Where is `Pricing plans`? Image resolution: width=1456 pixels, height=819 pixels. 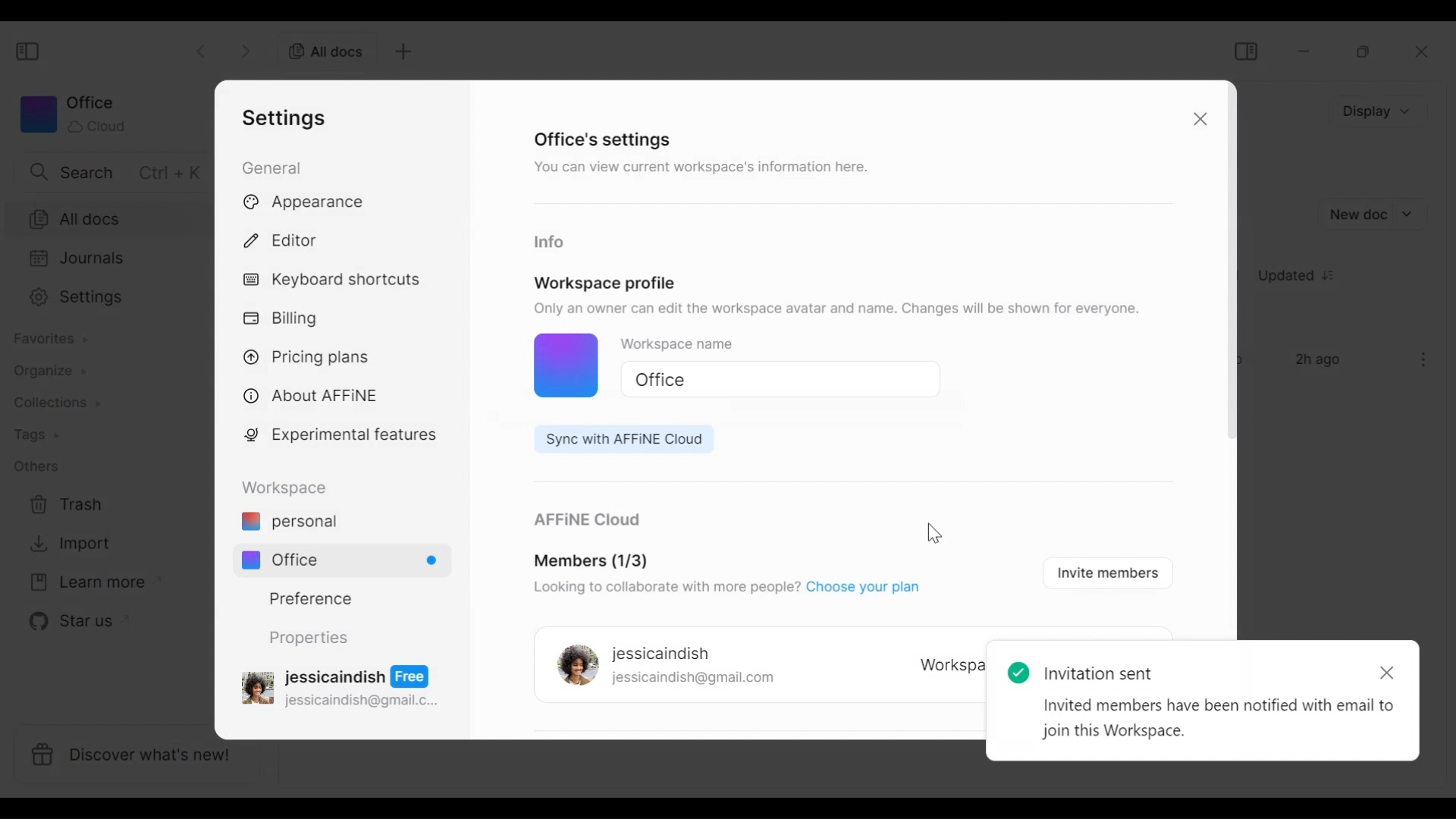 Pricing plans is located at coordinates (312, 356).